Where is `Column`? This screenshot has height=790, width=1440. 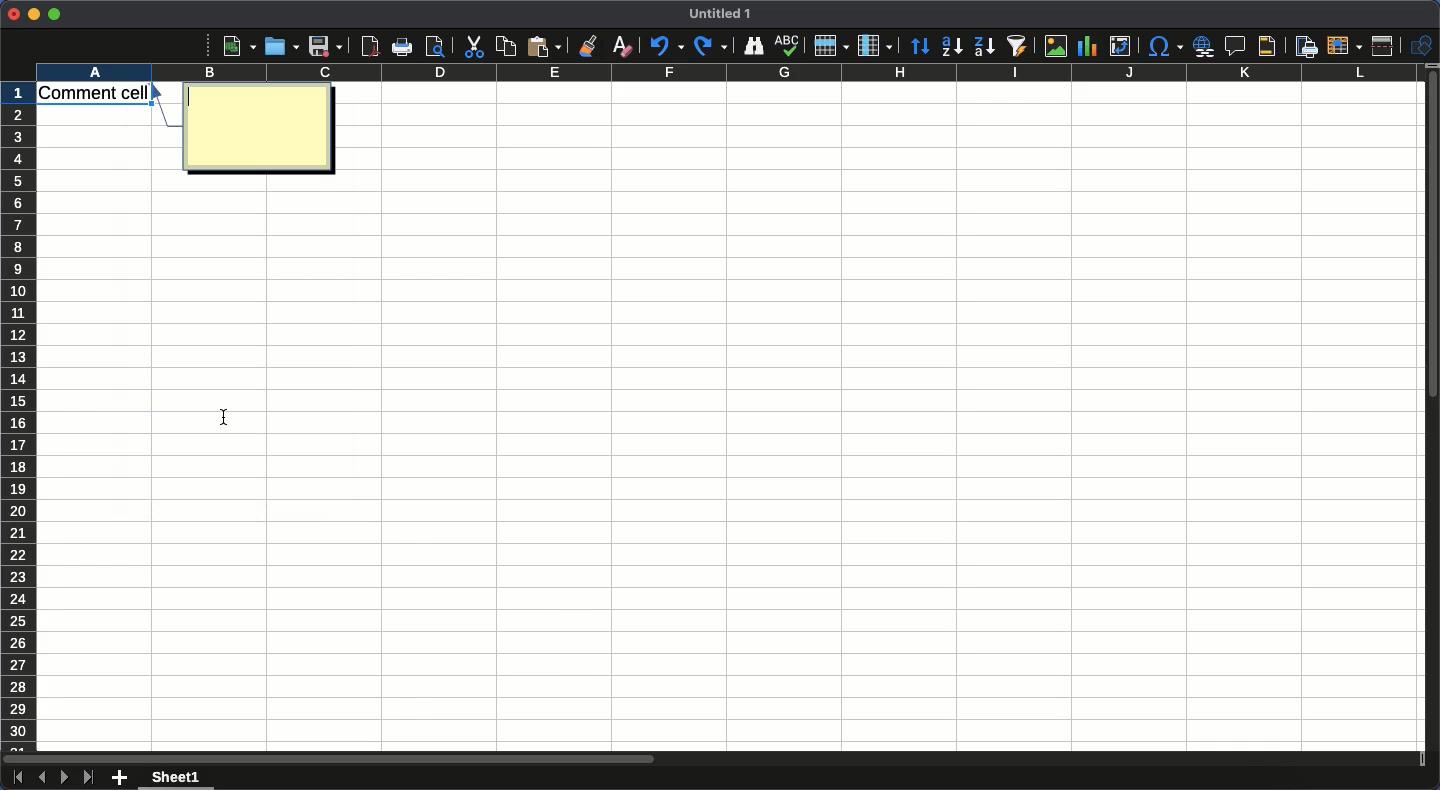 Column is located at coordinates (724, 72).